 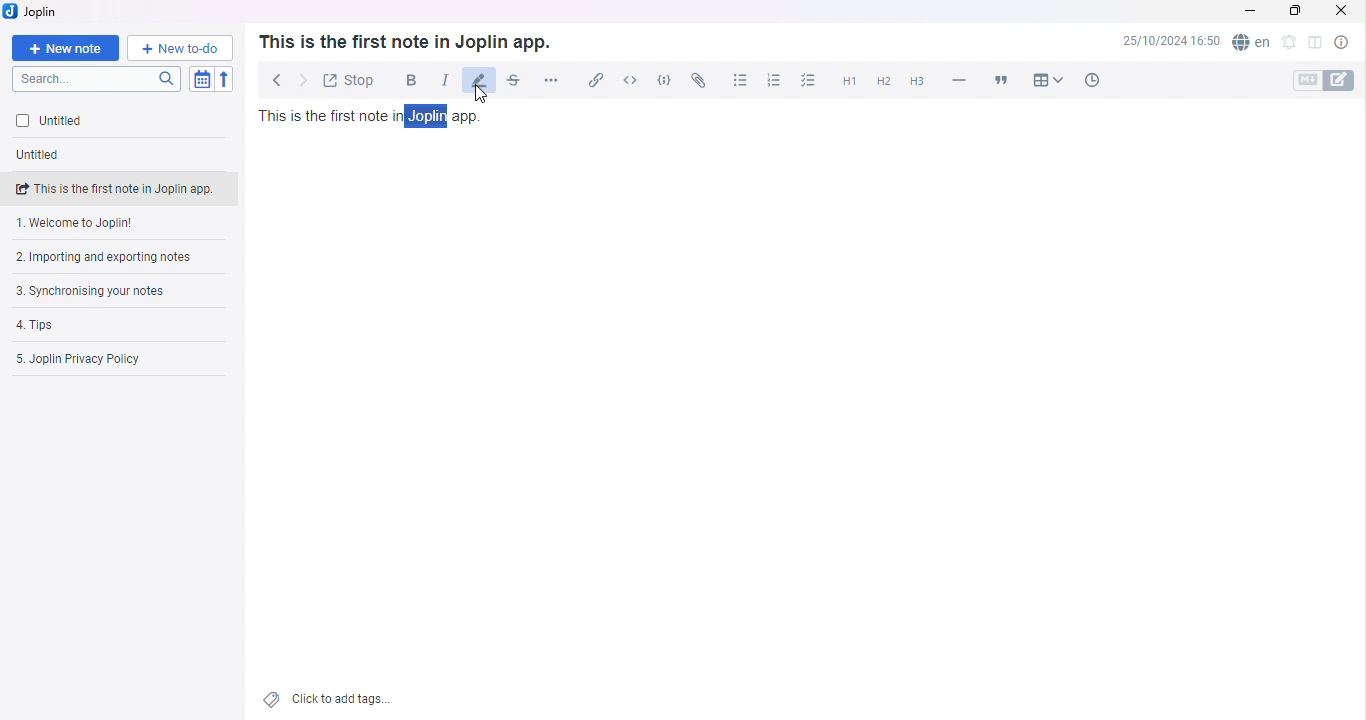 What do you see at coordinates (1048, 78) in the screenshot?
I see `Table ` at bounding box center [1048, 78].